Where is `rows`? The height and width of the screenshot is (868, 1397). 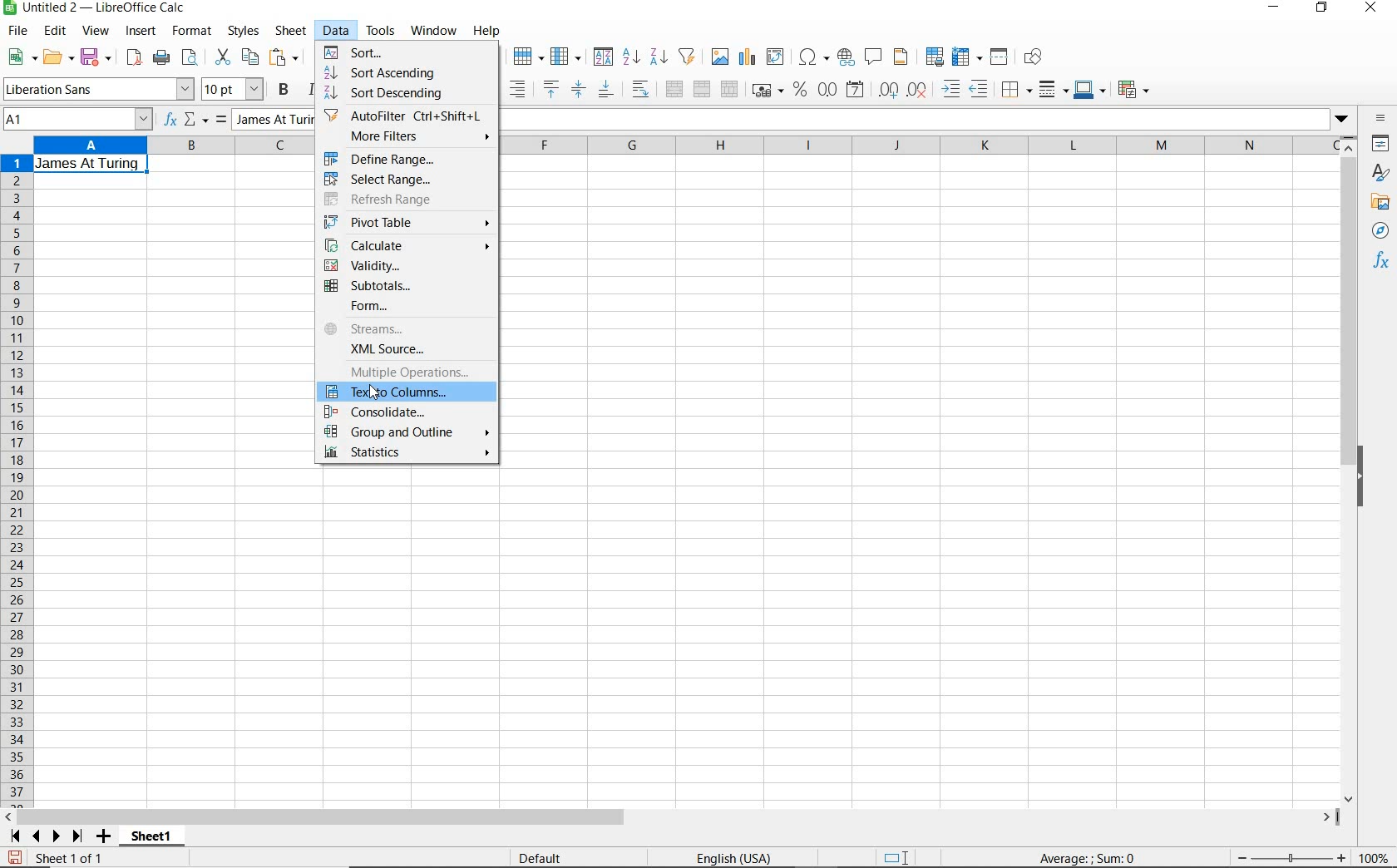 rows is located at coordinates (15, 481).